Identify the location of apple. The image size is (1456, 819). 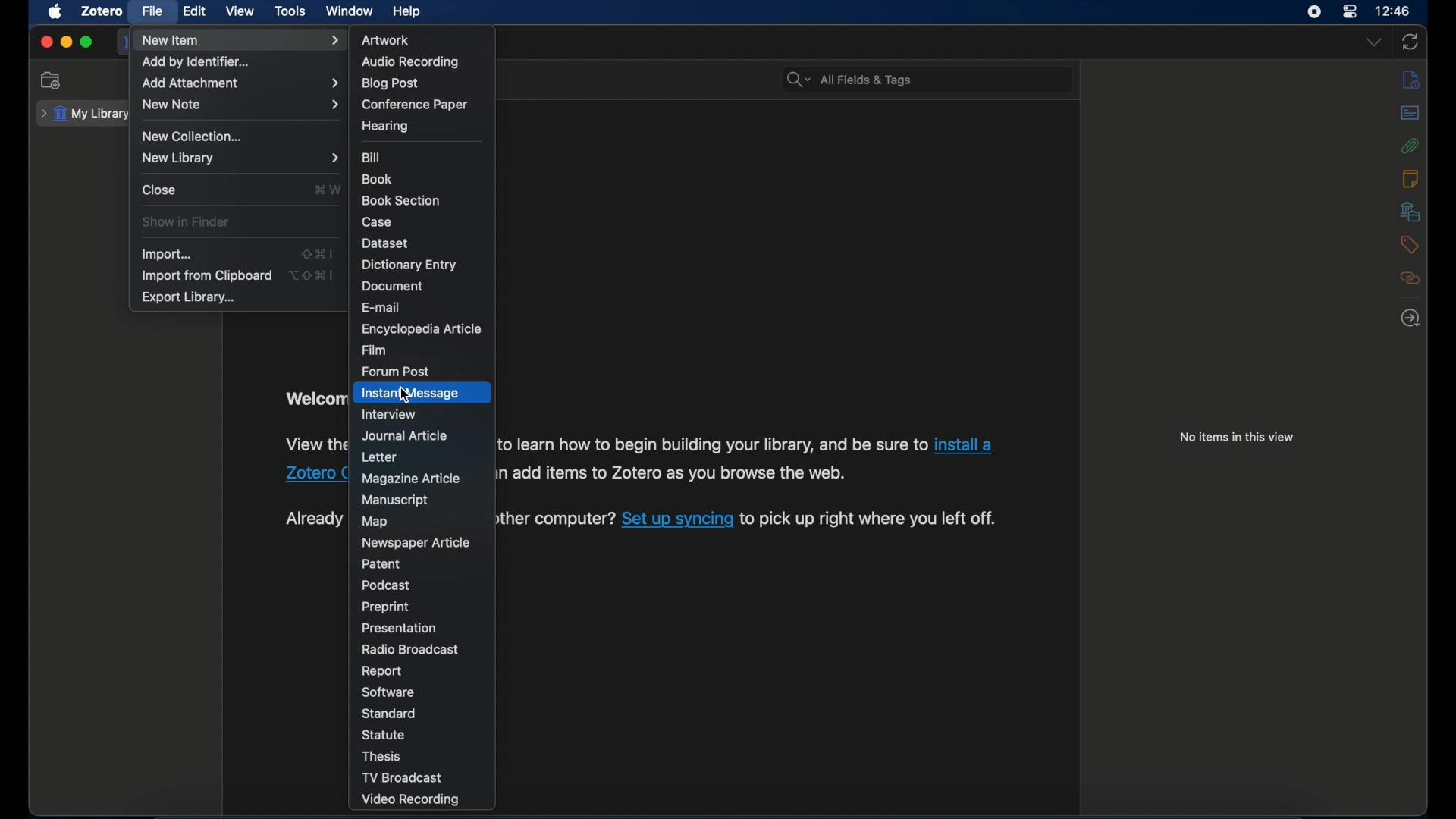
(55, 12).